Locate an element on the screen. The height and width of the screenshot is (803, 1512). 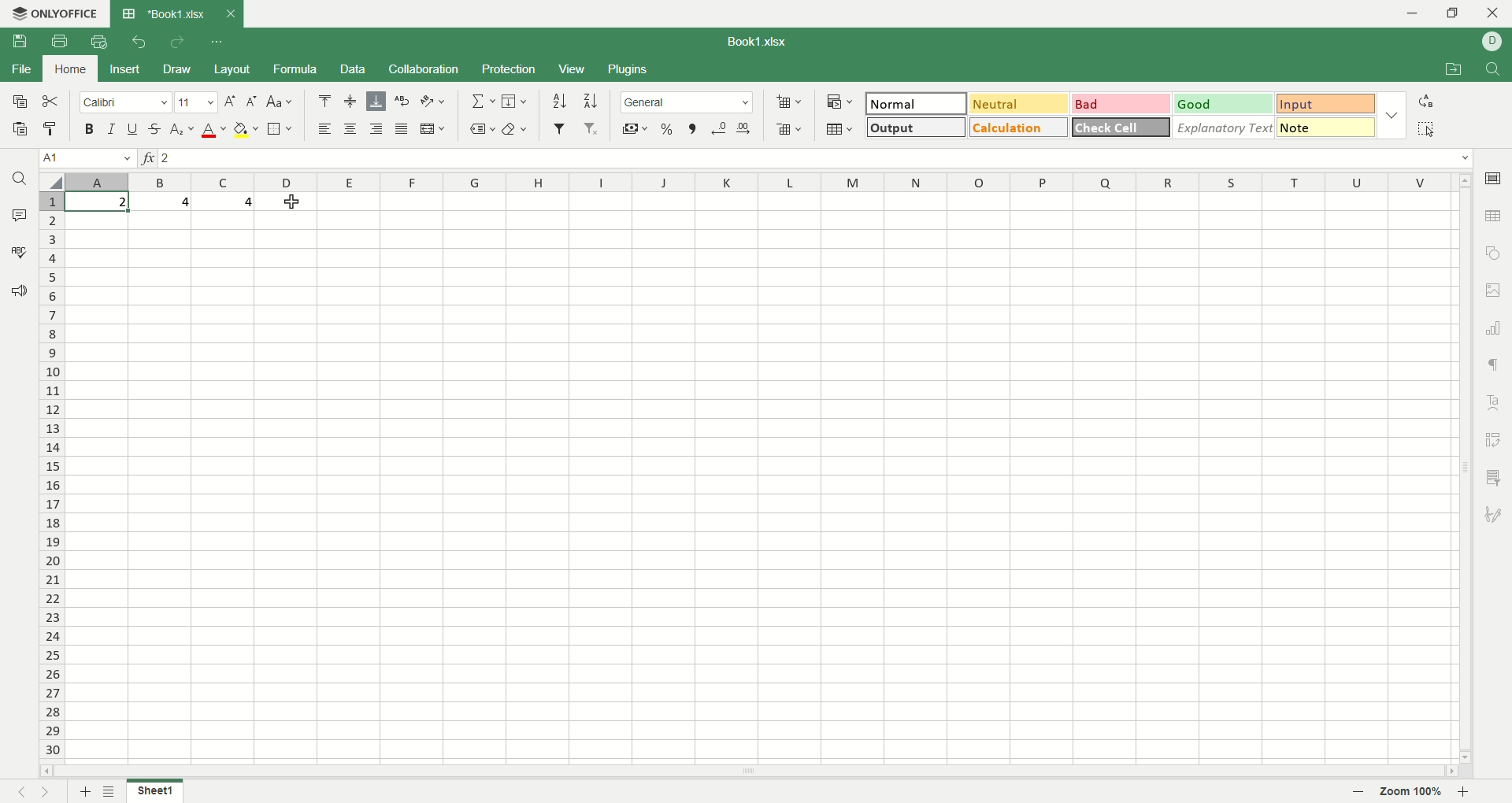
note is located at coordinates (1325, 128).